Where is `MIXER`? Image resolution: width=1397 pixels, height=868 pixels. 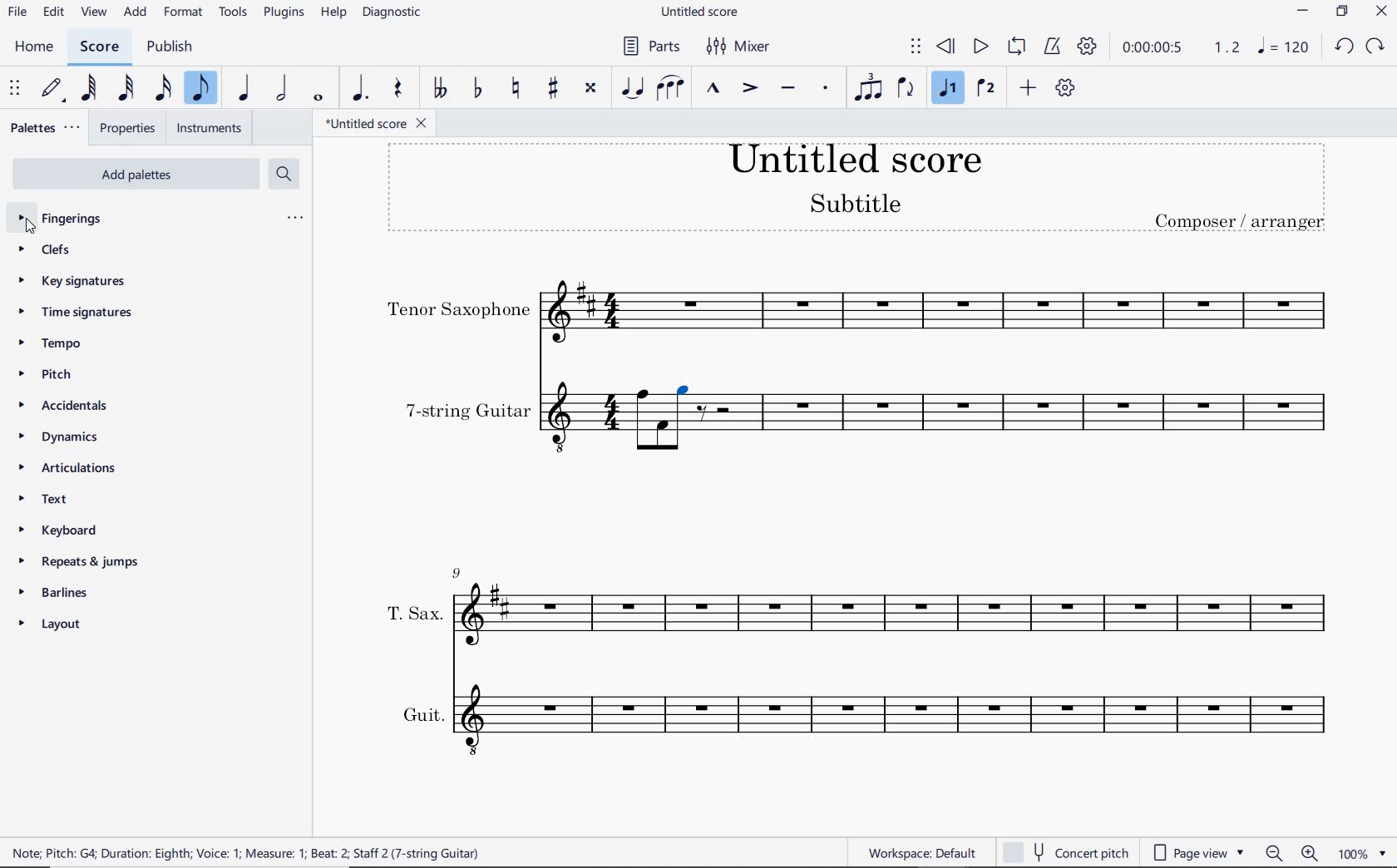
MIXER is located at coordinates (737, 46).